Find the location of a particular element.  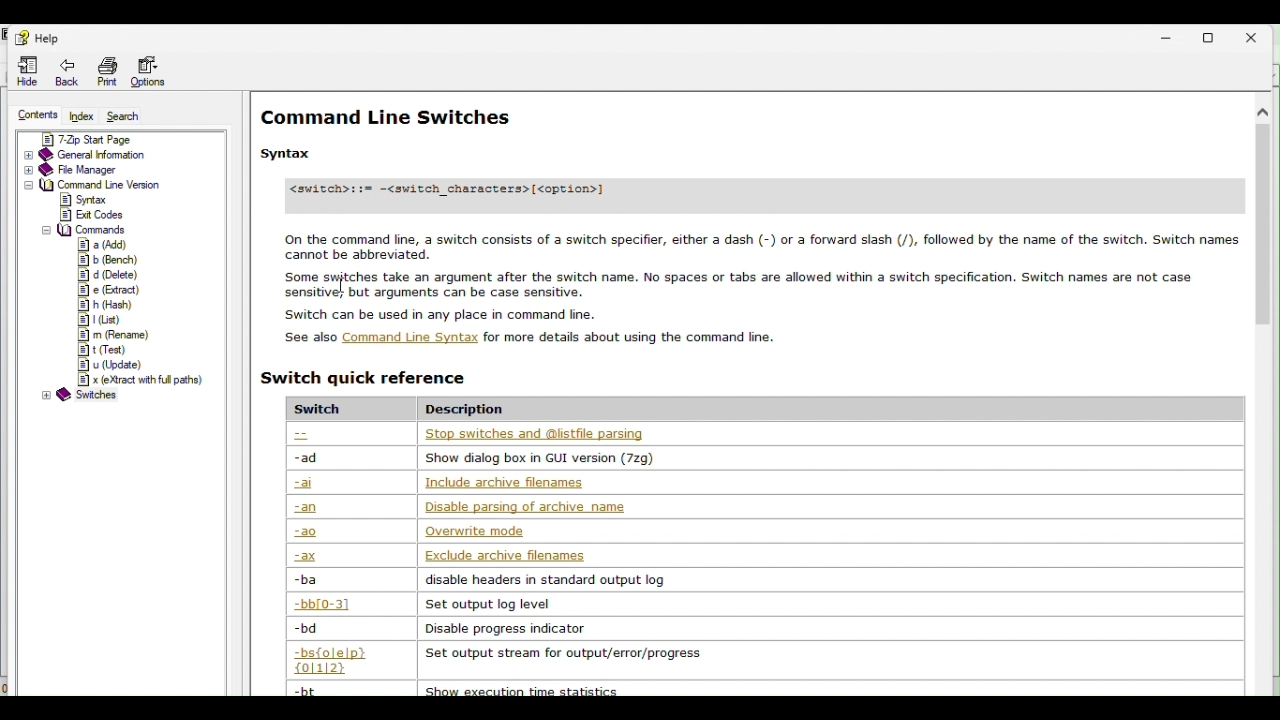

Options is located at coordinates (149, 71).